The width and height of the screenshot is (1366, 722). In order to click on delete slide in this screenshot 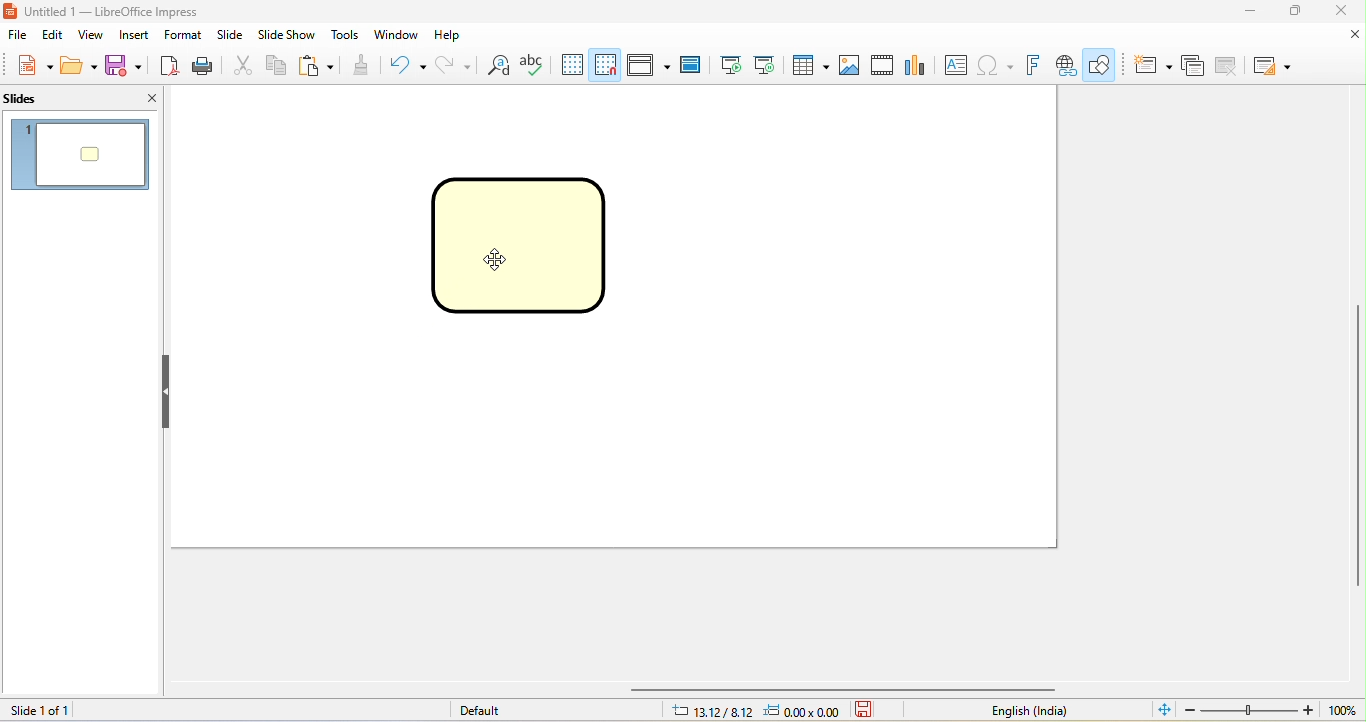, I will do `click(1226, 65)`.